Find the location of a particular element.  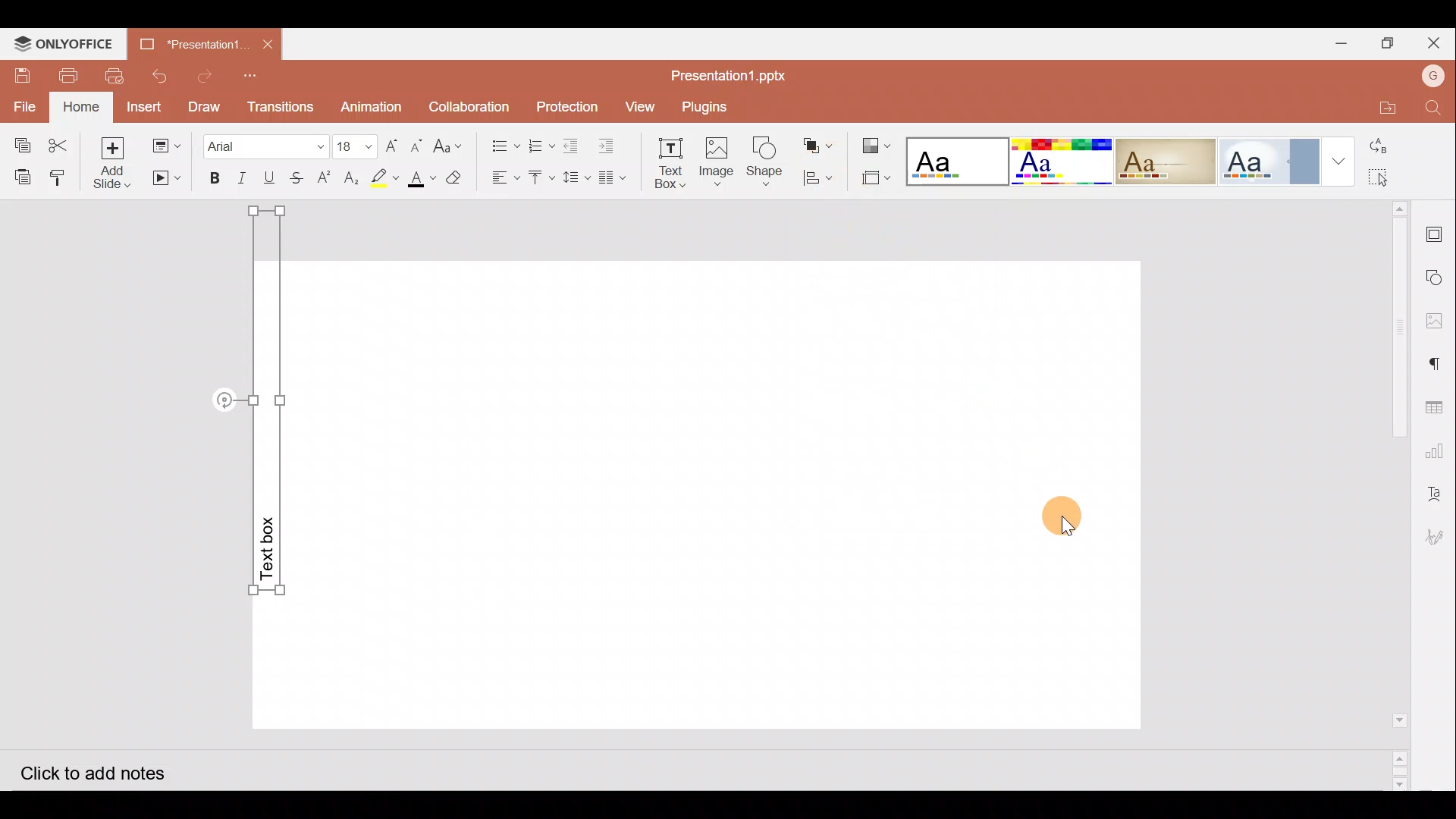

Slide settings is located at coordinates (1439, 232).